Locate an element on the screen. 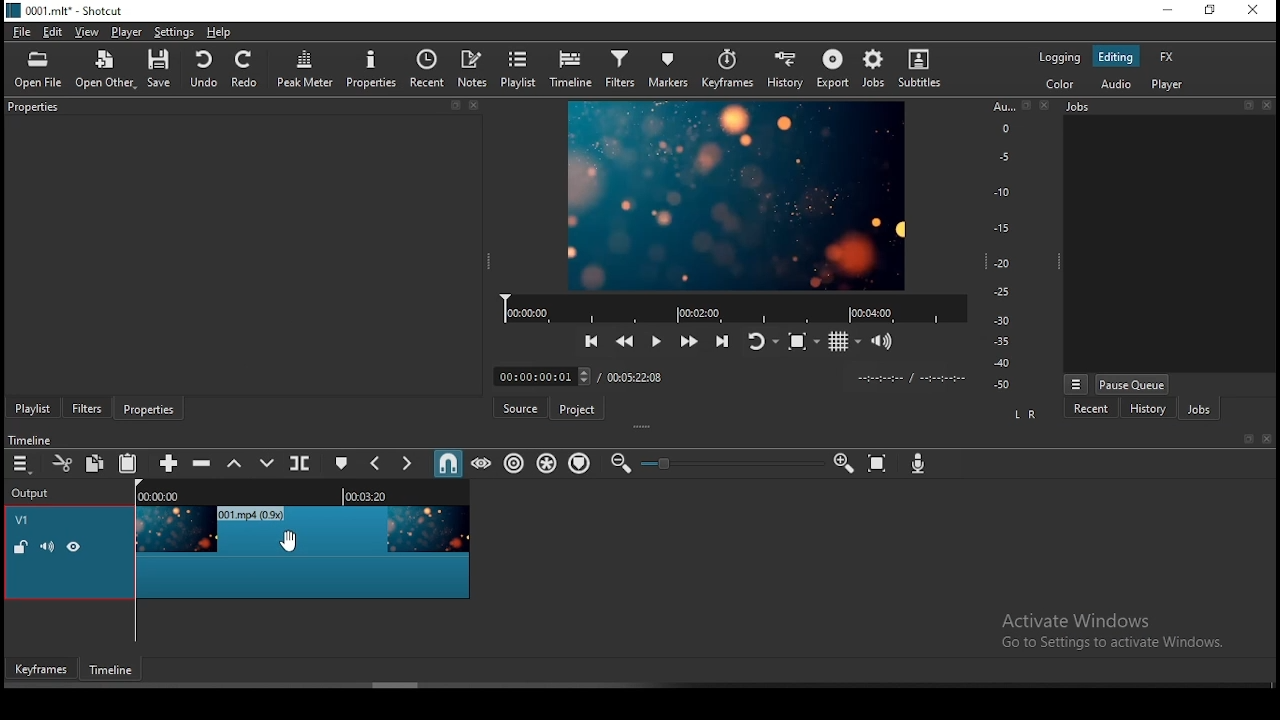 The height and width of the screenshot is (720, 1280). toggle zoom is located at coordinates (799, 342).